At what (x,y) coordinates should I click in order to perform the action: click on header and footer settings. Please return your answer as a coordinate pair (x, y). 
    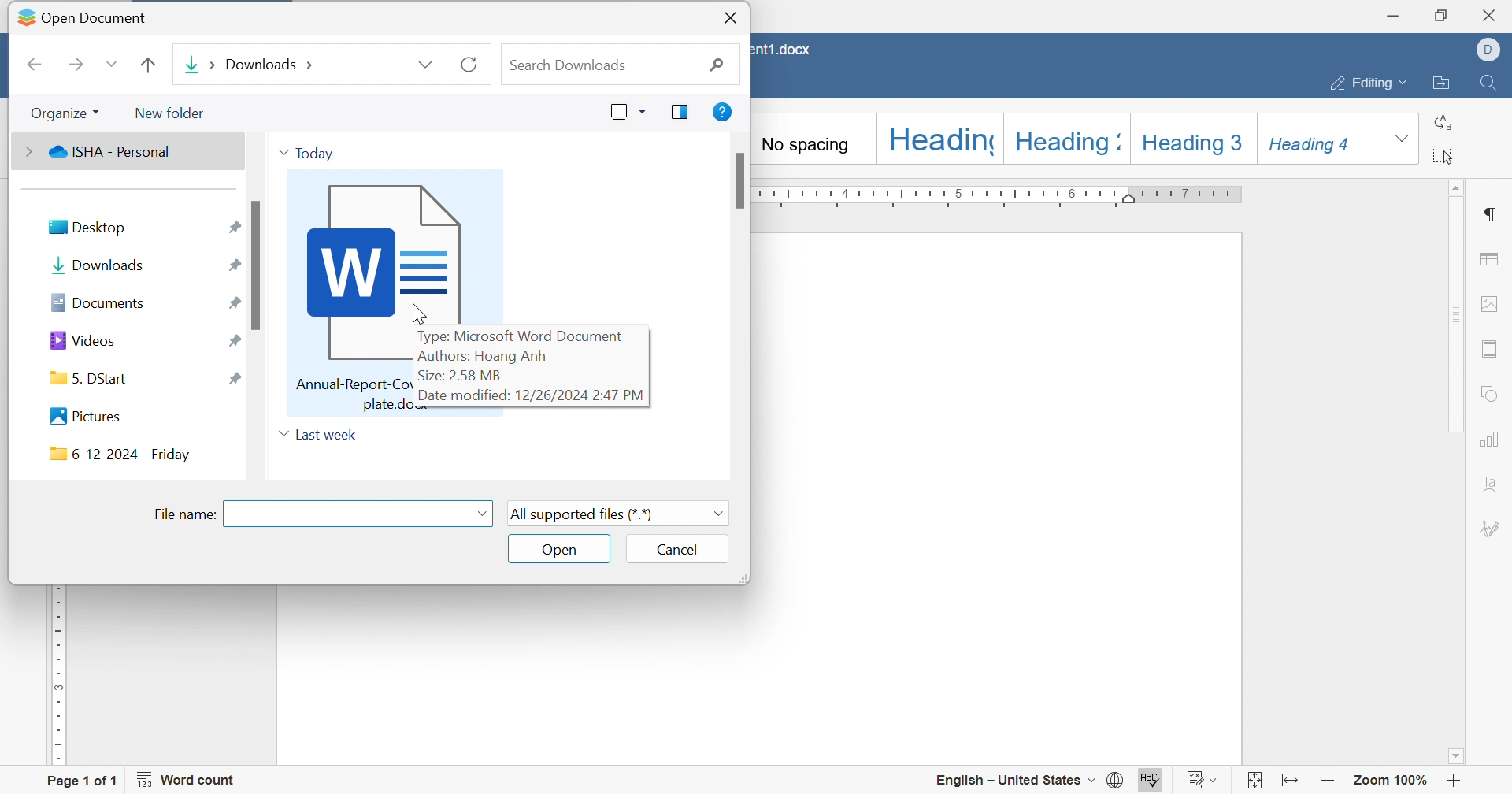
    Looking at the image, I should click on (1488, 347).